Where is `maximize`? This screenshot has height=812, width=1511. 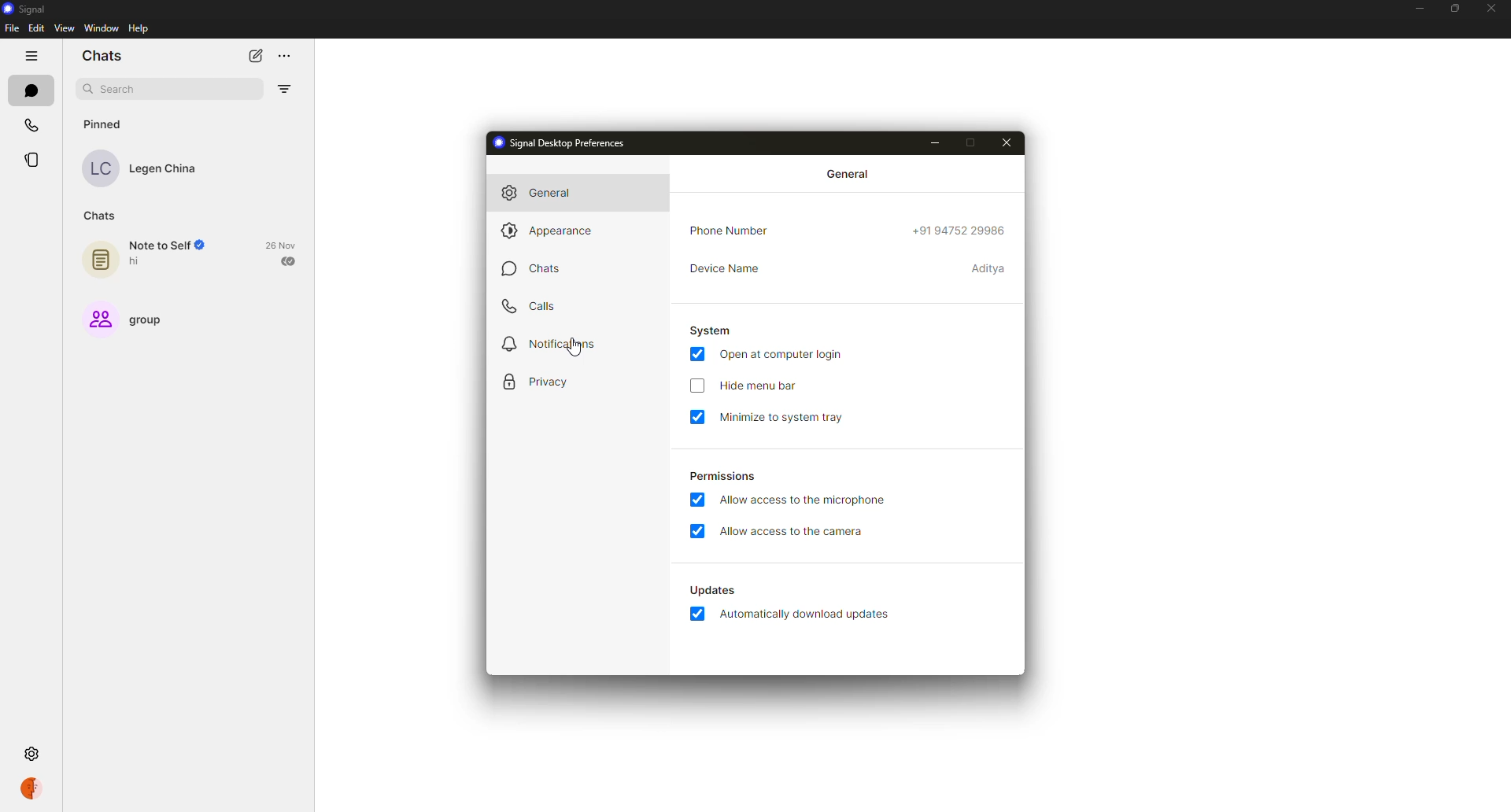 maximize is located at coordinates (1452, 9).